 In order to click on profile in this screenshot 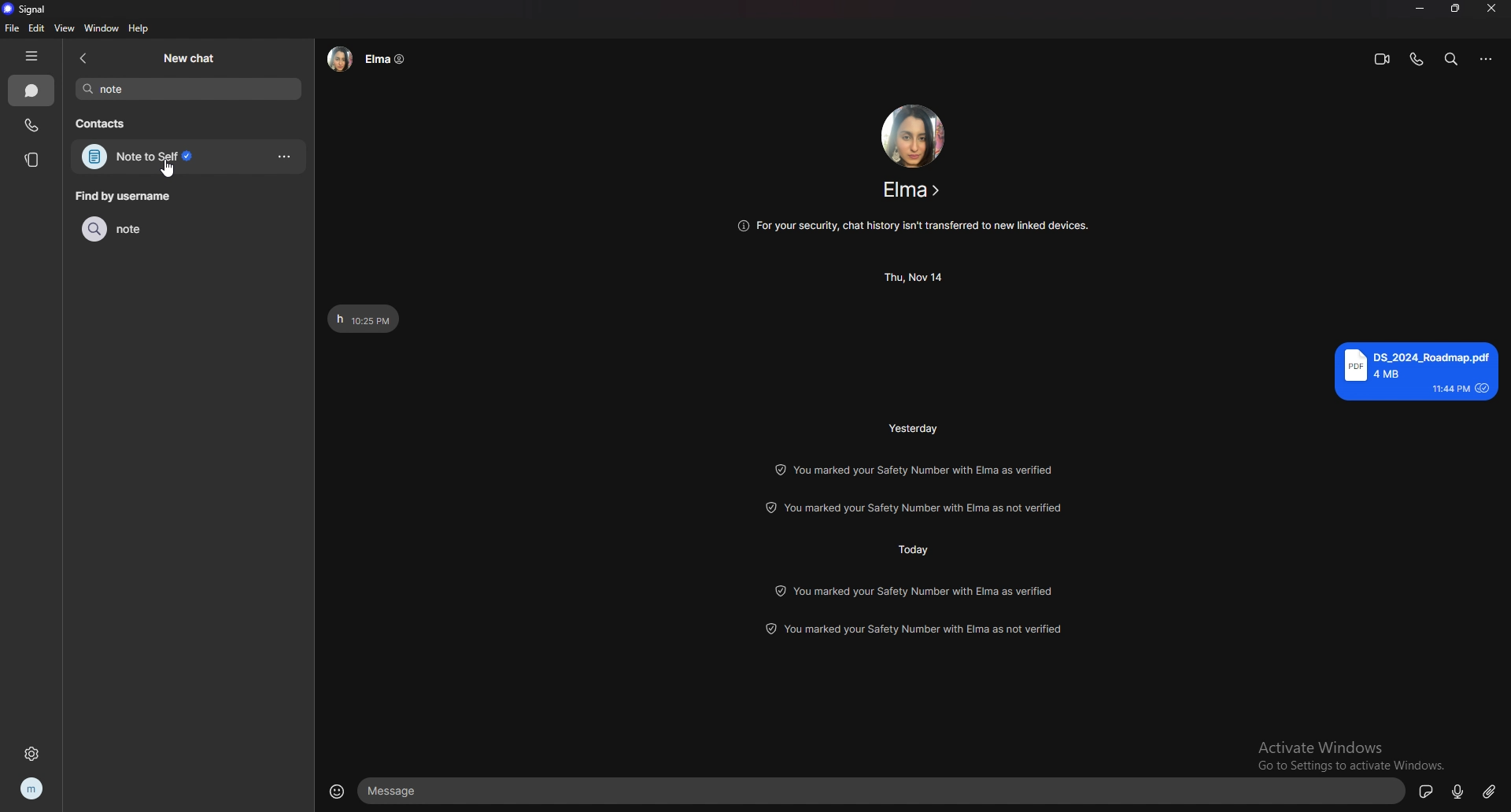, I will do `click(33, 788)`.